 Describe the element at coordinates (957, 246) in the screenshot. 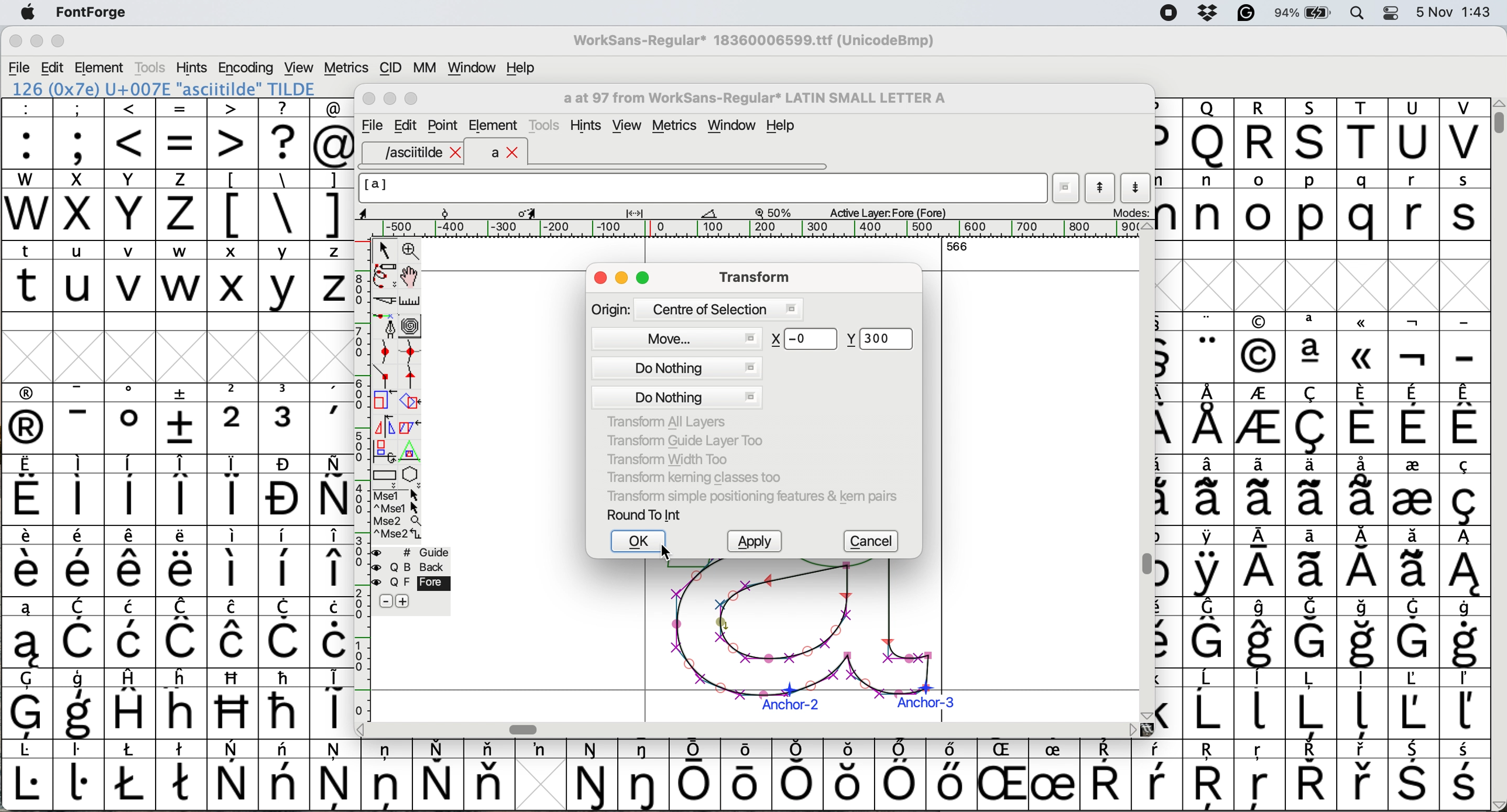

I see `566` at that location.